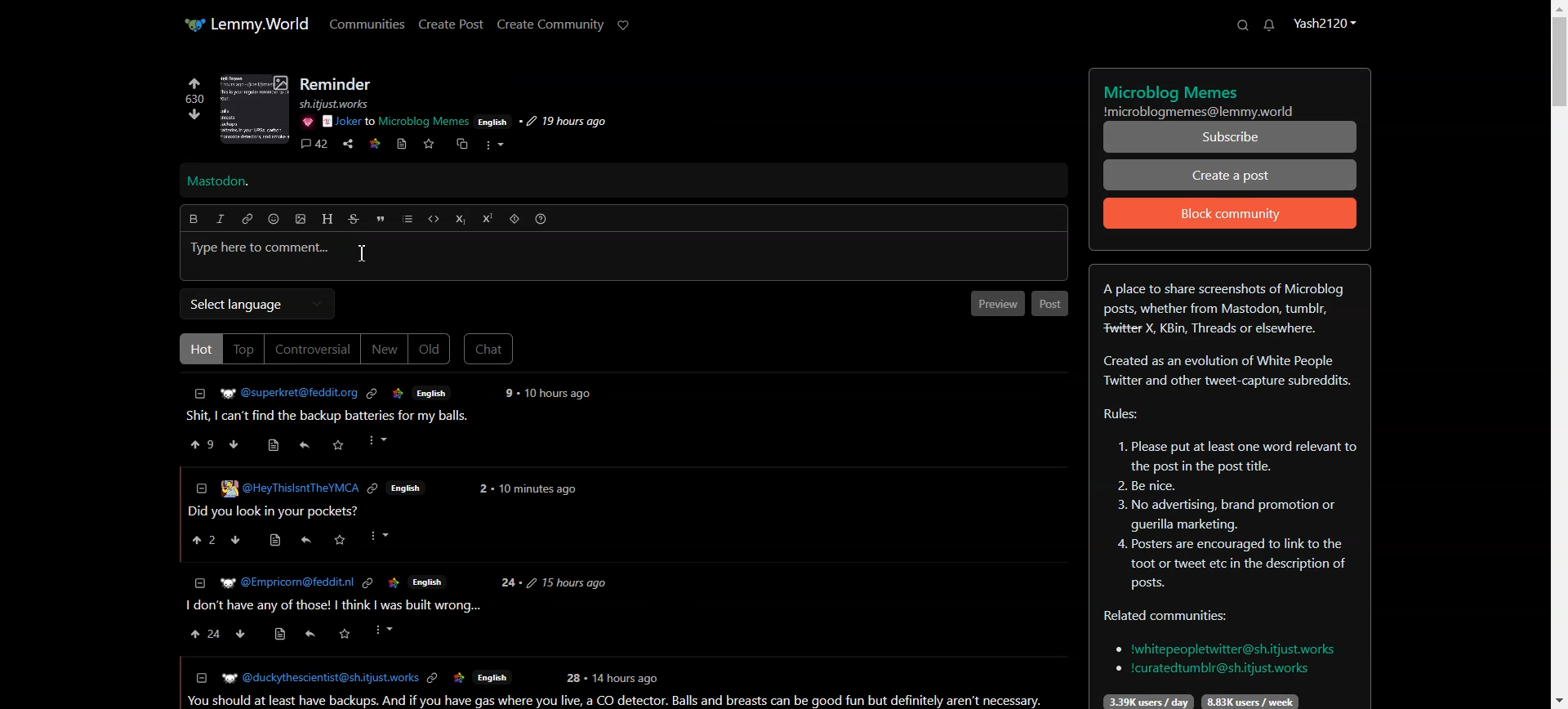 The width and height of the screenshot is (1568, 709). Describe the element at coordinates (506, 393) in the screenshot. I see `` at that location.